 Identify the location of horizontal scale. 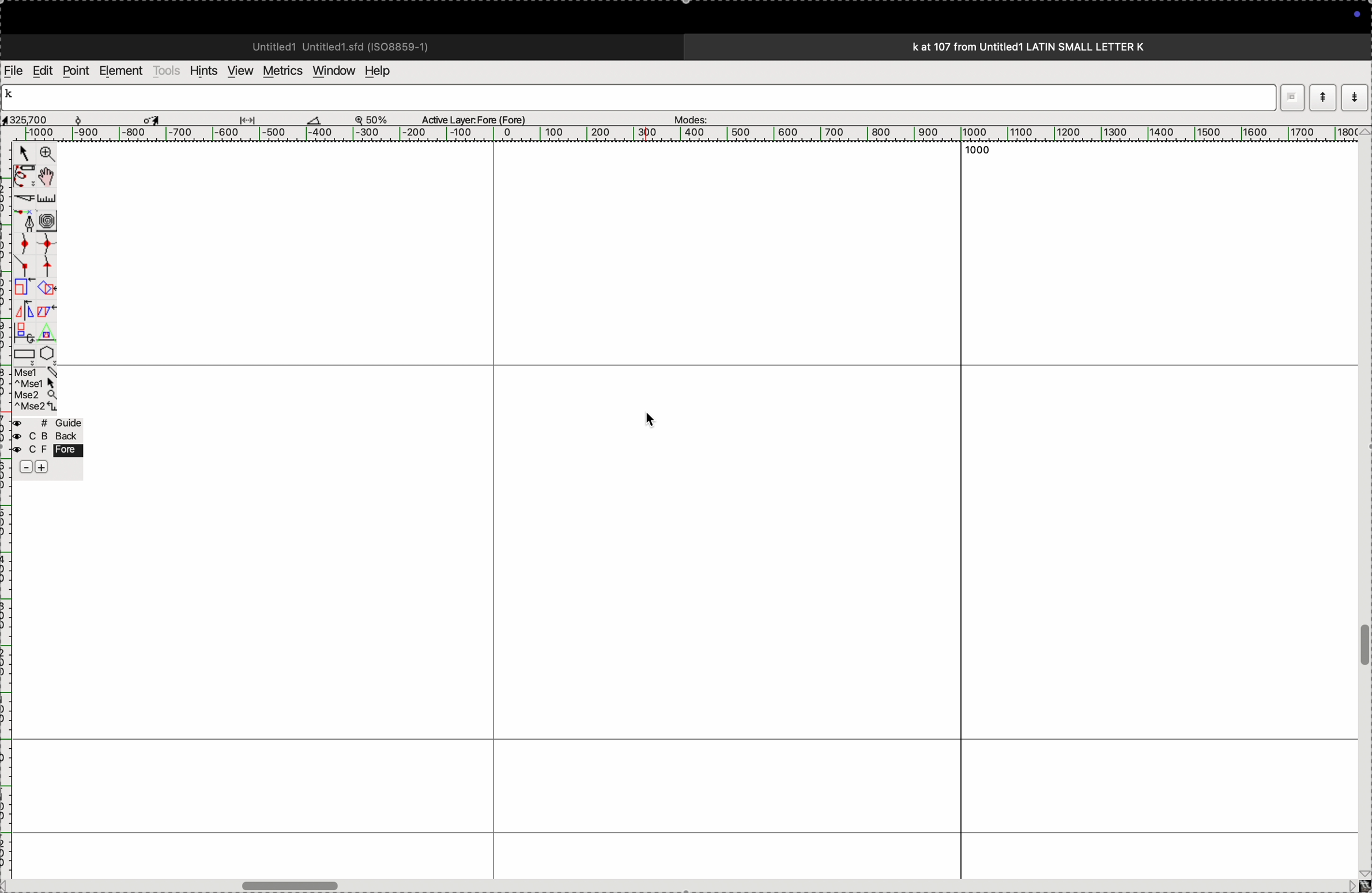
(673, 134).